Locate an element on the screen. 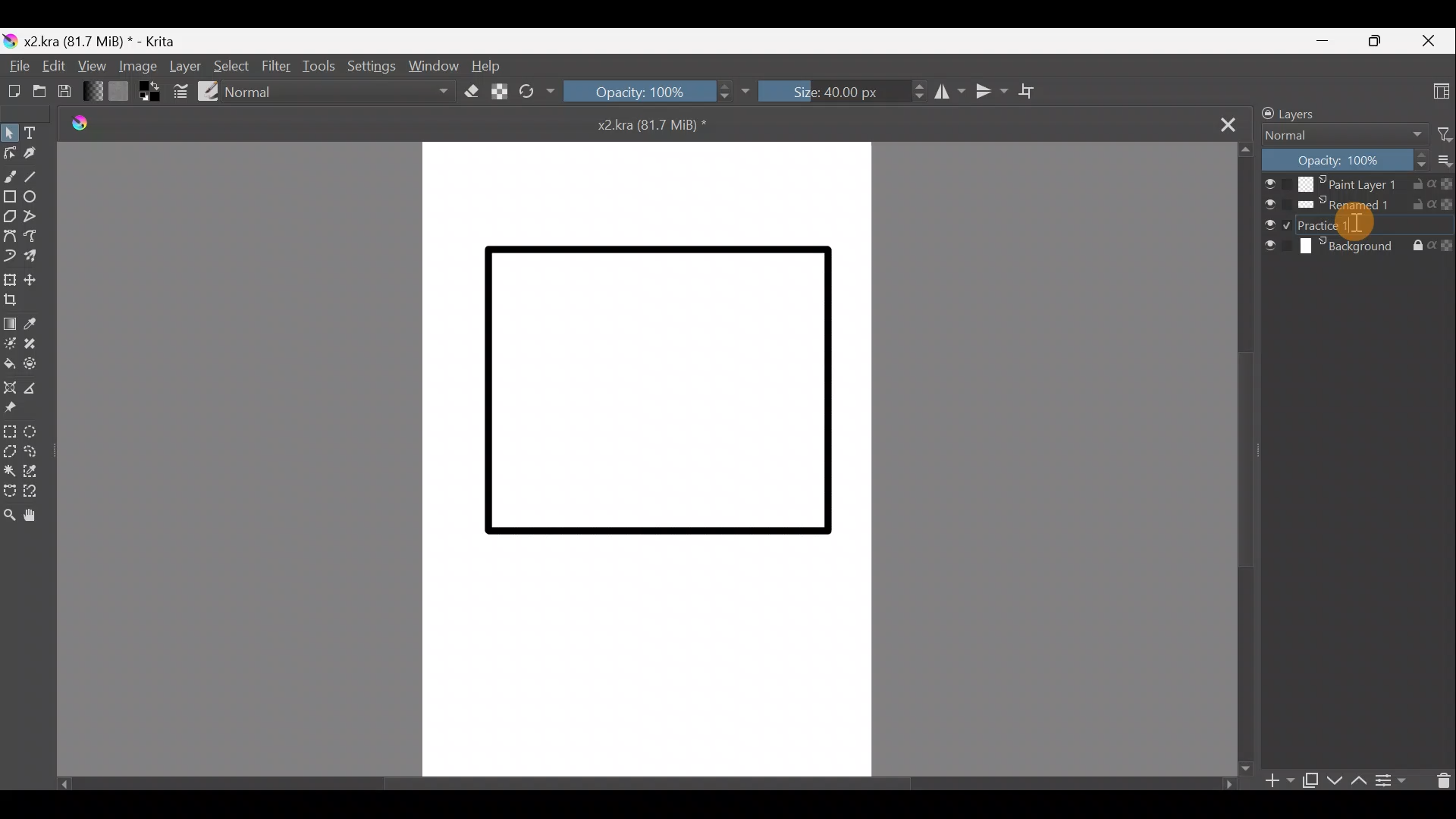 This screenshot has width=1456, height=819. Choose brush preset is located at coordinates (210, 93).